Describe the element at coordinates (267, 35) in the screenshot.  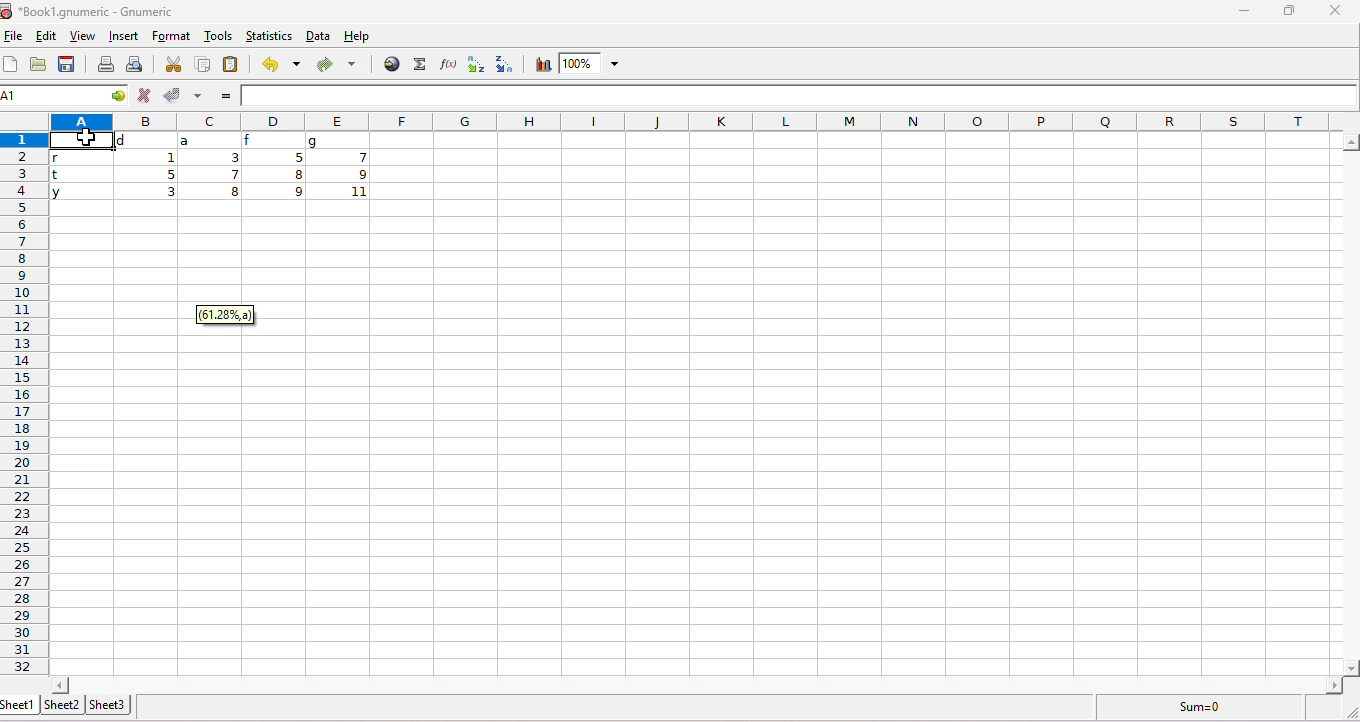
I see `statistics` at that location.